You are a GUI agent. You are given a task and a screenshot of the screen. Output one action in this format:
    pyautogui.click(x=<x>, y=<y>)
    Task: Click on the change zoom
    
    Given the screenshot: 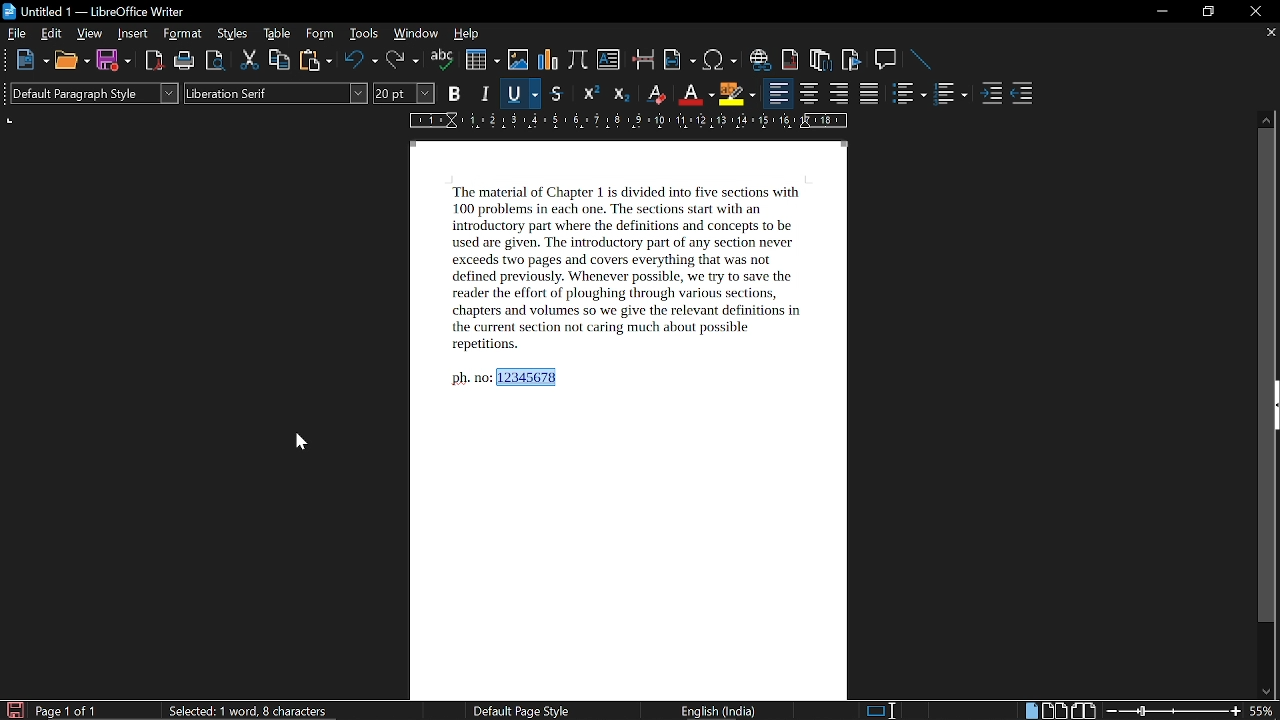 What is the action you would take?
    pyautogui.click(x=1174, y=712)
    